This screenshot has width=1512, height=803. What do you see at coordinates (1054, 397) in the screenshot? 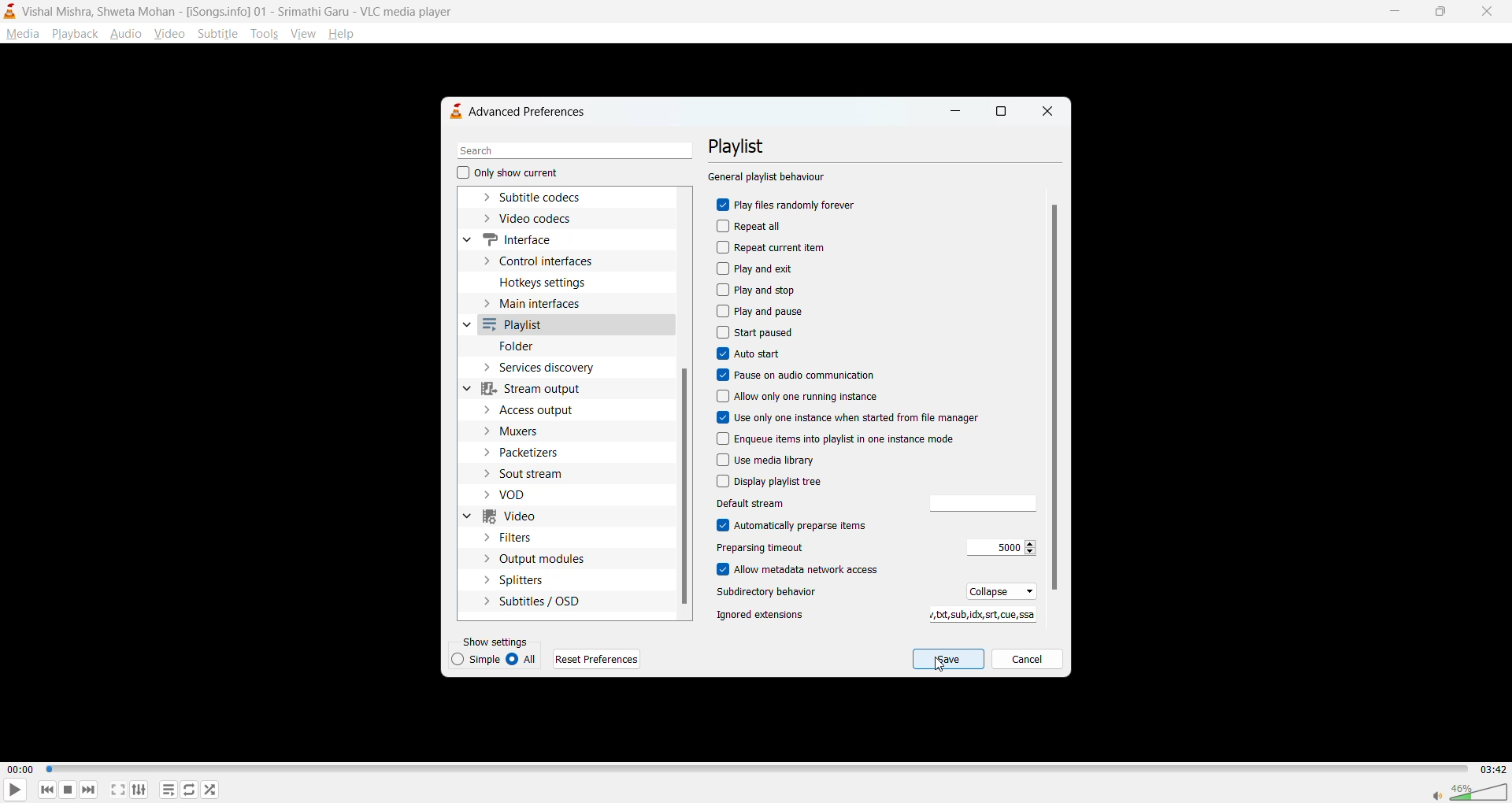
I see `vertical scroll bar` at bounding box center [1054, 397].